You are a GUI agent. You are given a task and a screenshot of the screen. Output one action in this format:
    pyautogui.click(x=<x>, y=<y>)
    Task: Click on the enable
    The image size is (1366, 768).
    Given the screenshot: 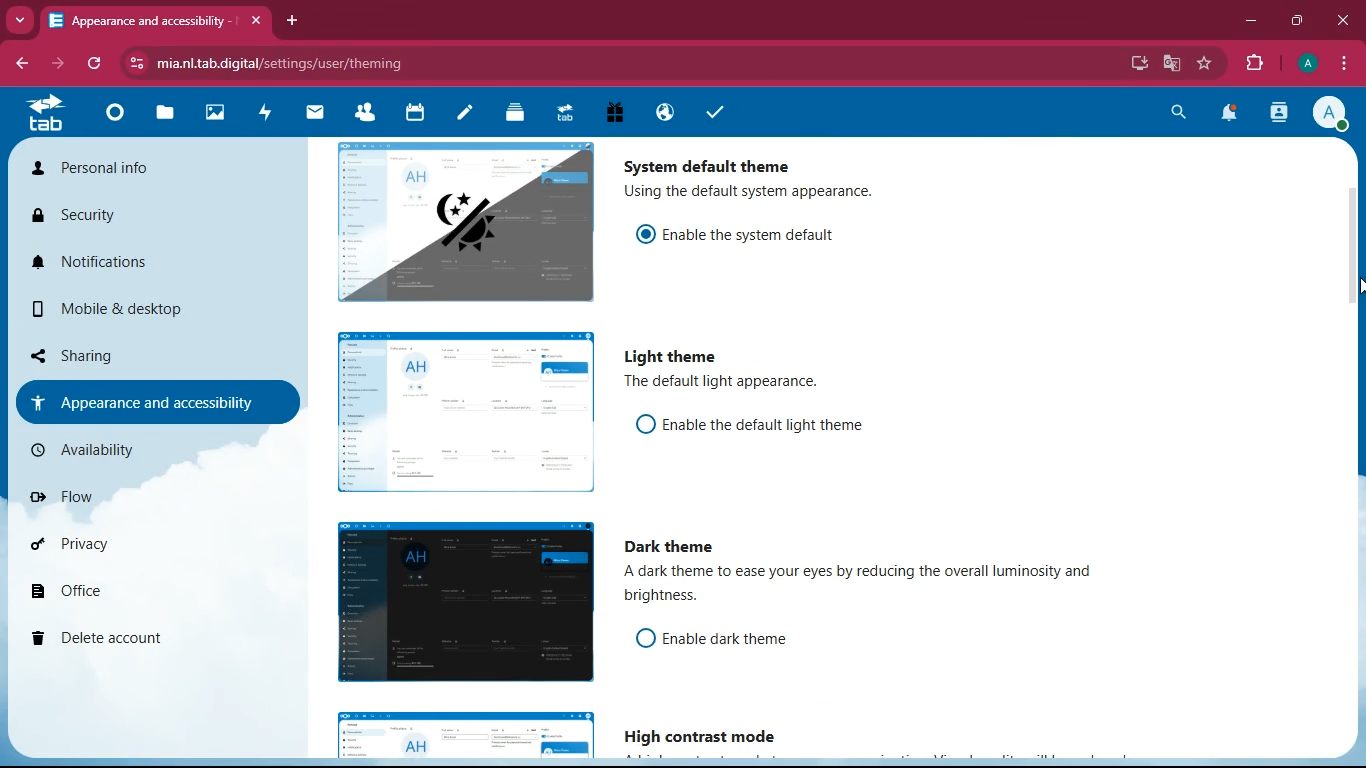 What is the action you would take?
    pyautogui.click(x=763, y=232)
    